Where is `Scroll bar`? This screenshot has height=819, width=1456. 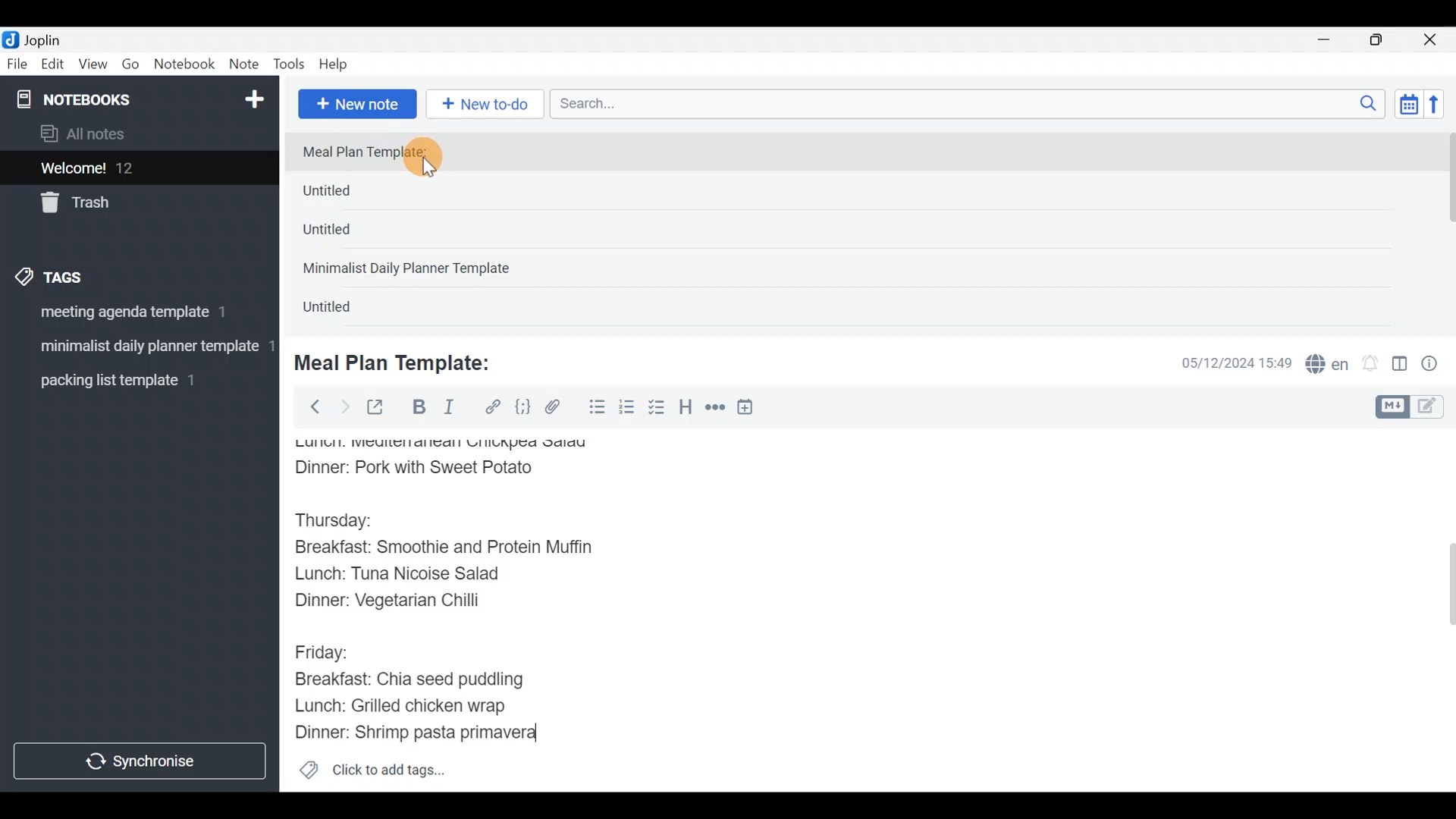
Scroll bar is located at coordinates (1440, 610).